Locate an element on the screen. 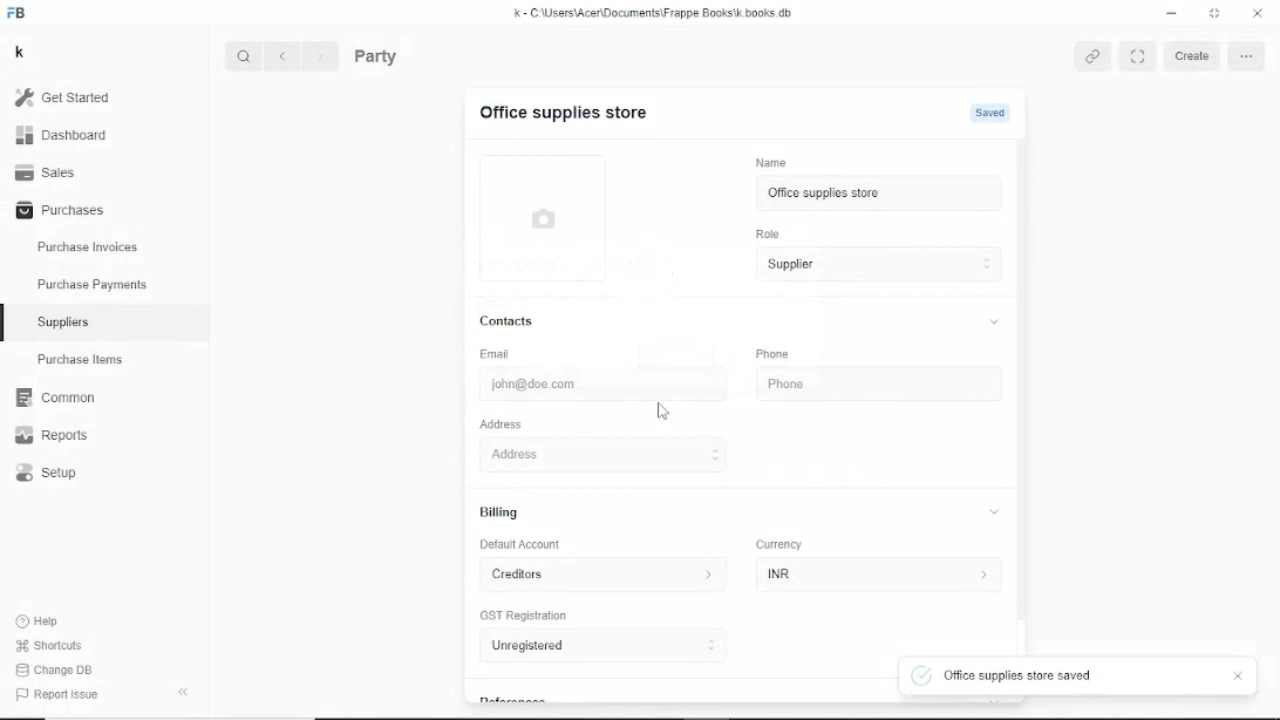 The width and height of the screenshot is (1280, 720). Party is located at coordinates (376, 56).